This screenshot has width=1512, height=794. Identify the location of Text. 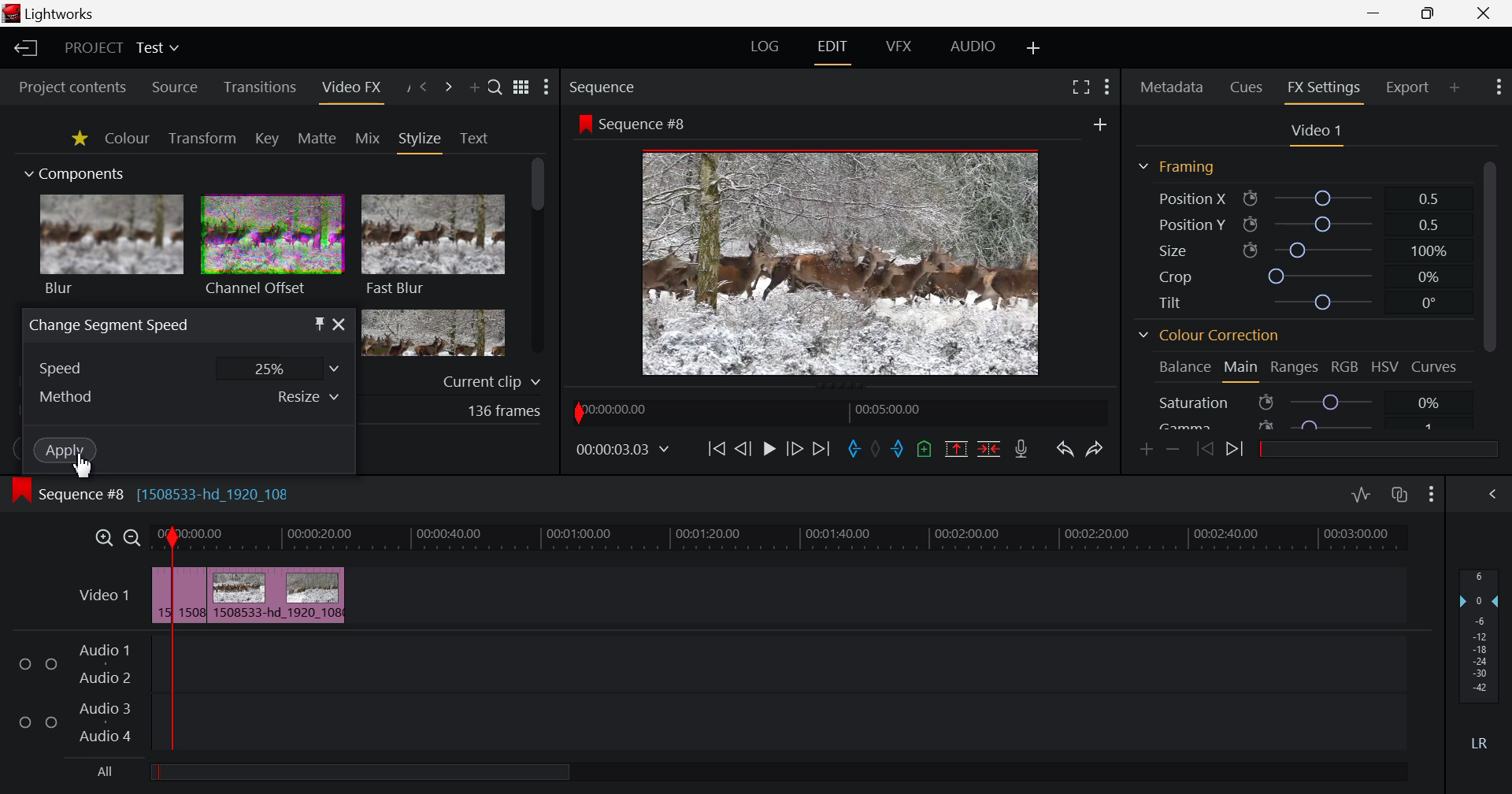
(474, 139).